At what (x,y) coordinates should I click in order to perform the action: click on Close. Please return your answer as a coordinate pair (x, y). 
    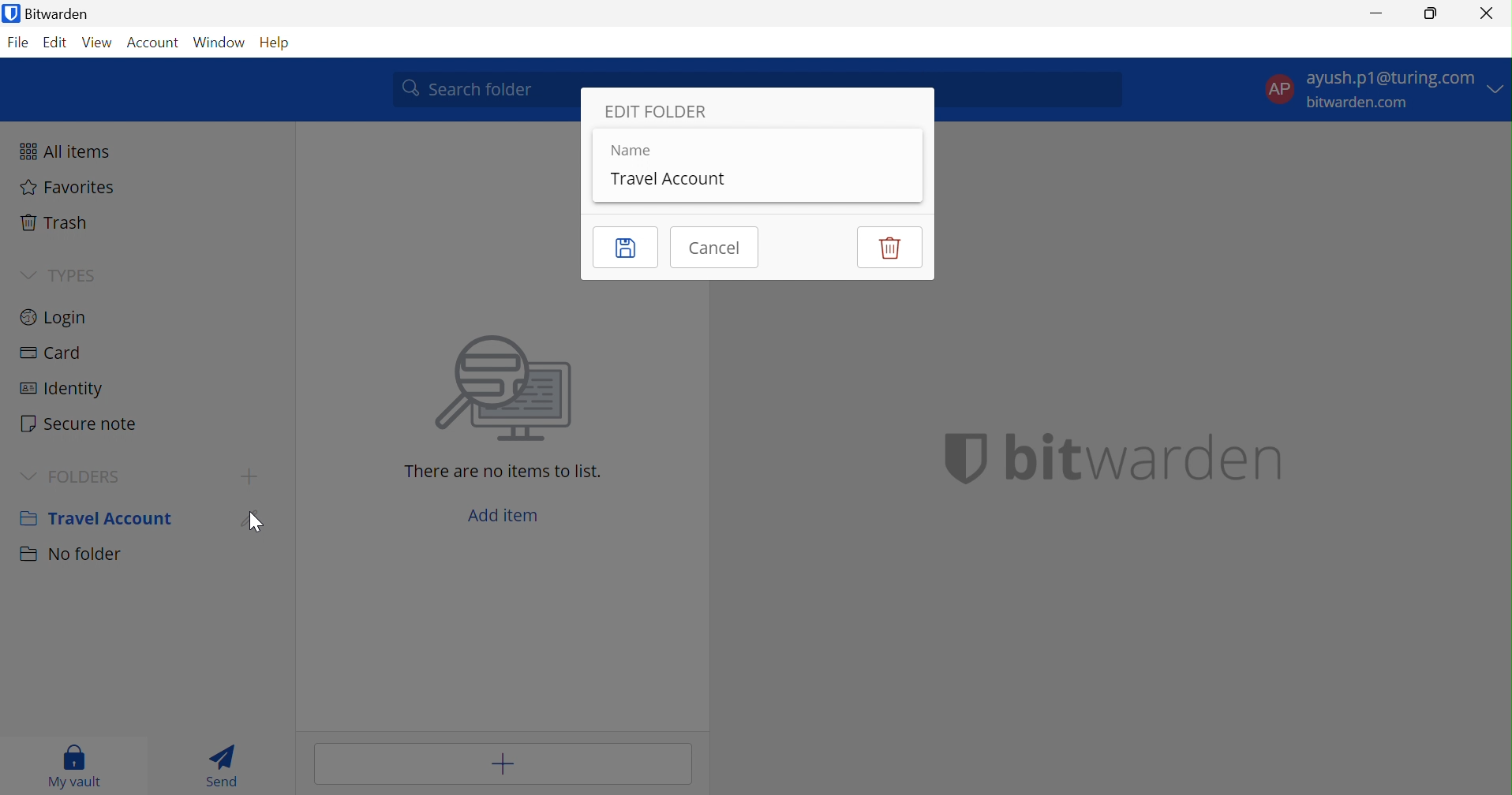
    Looking at the image, I should click on (1487, 13).